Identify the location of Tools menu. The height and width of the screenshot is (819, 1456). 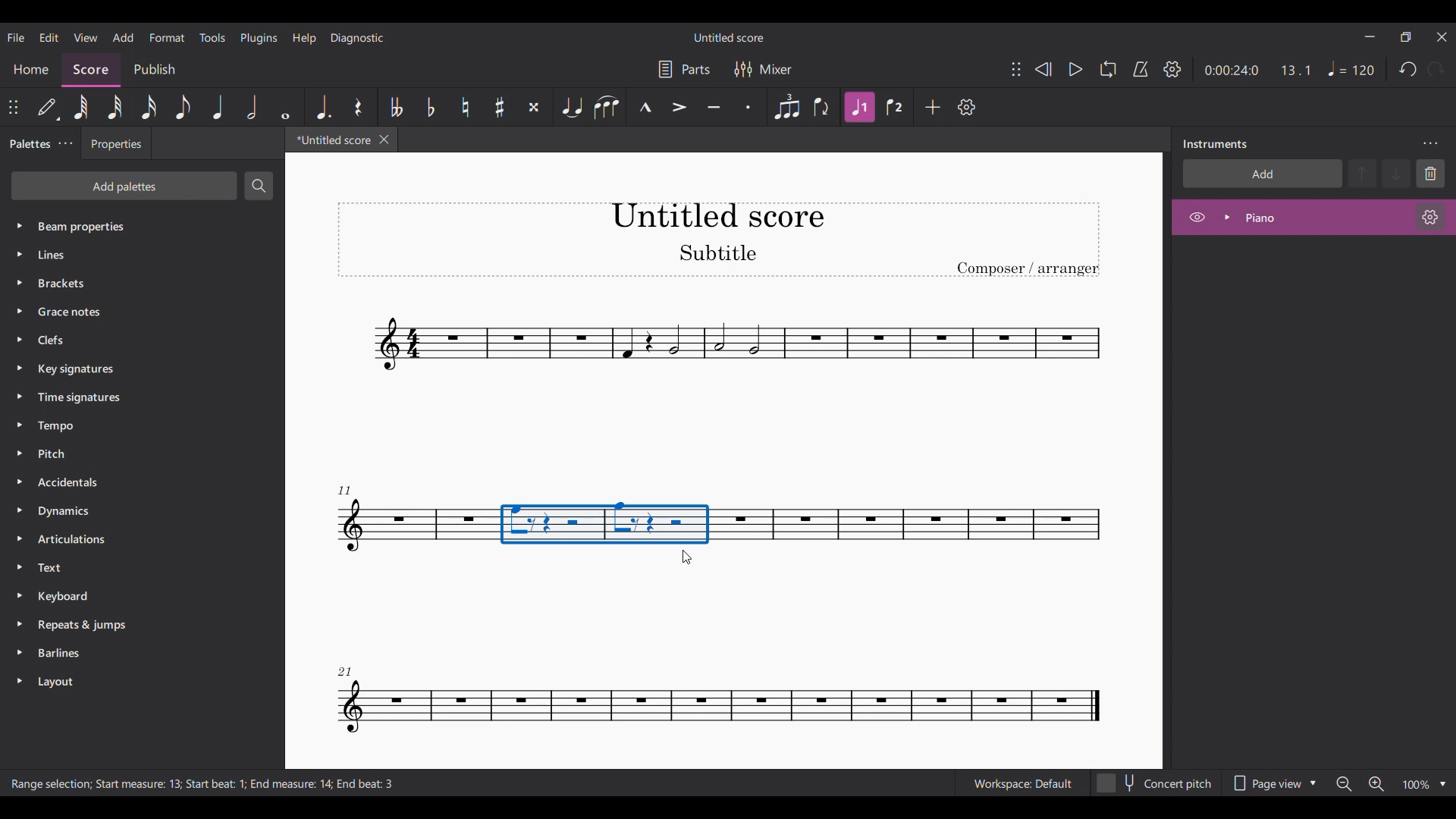
(213, 37).